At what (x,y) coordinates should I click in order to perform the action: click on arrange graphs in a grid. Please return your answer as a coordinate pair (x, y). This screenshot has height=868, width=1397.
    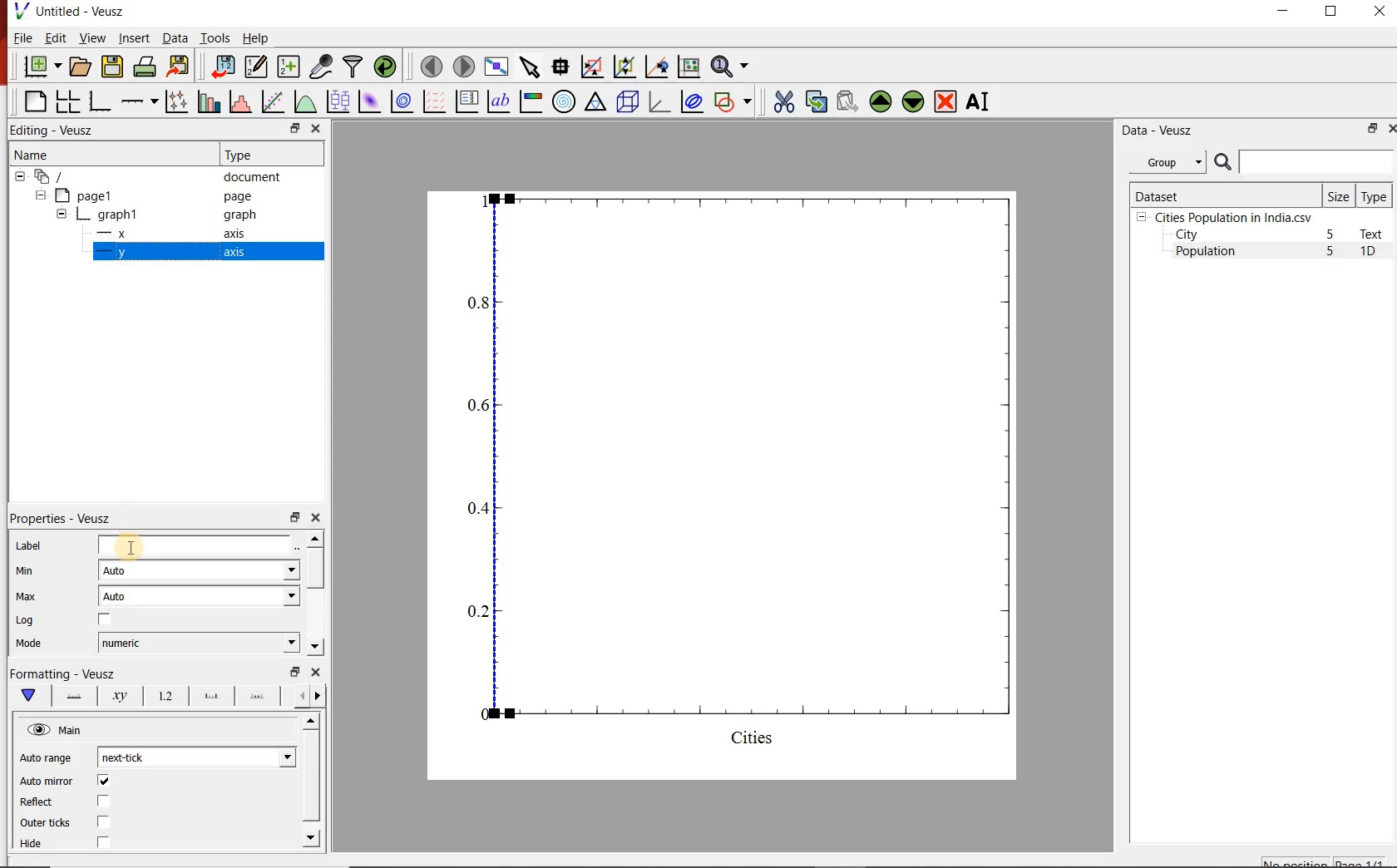
    Looking at the image, I should click on (67, 101).